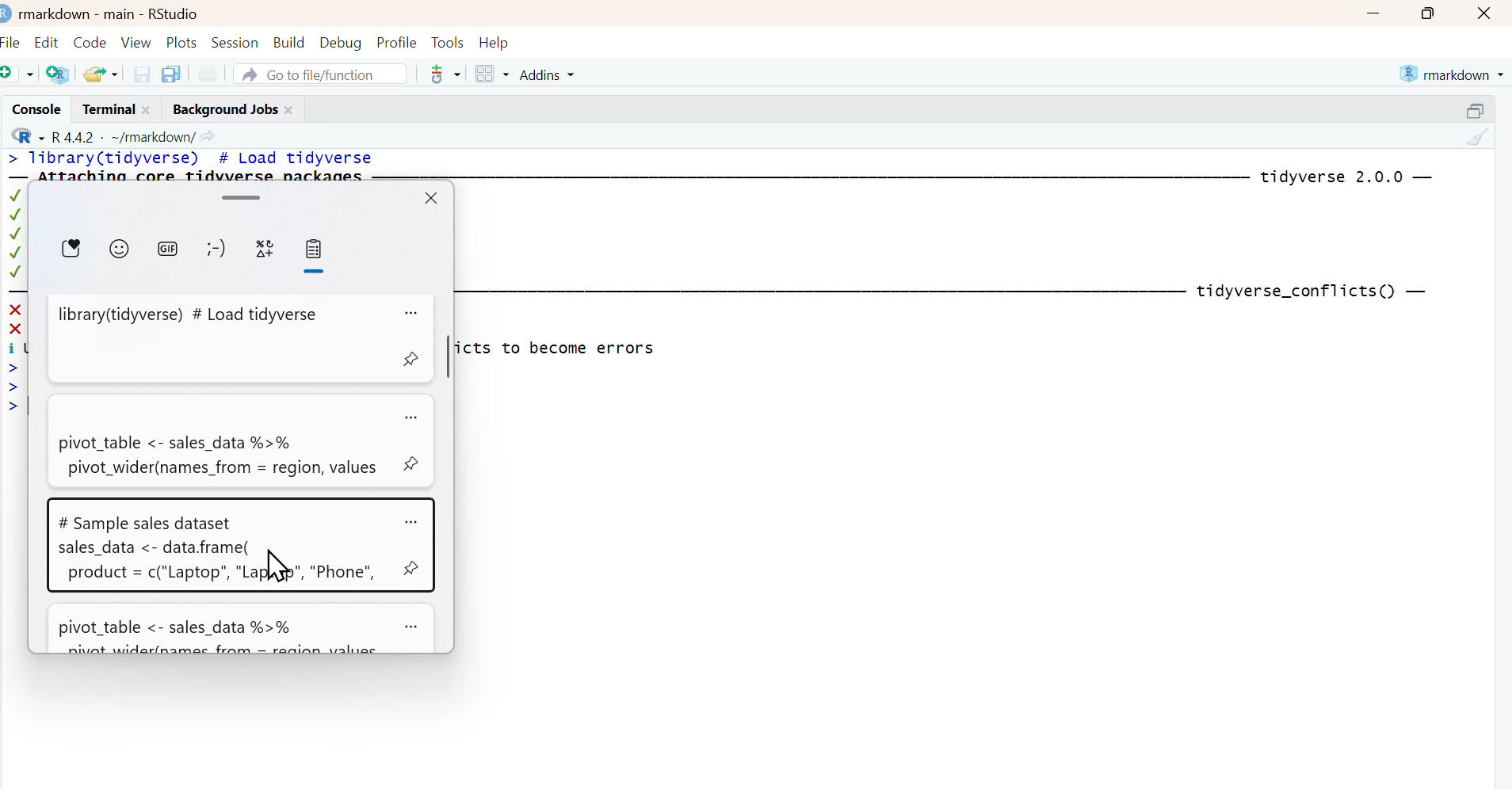  What do you see at coordinates (290, 39) in the screenshot?
I see `Build` at bounding box center [290, 39].